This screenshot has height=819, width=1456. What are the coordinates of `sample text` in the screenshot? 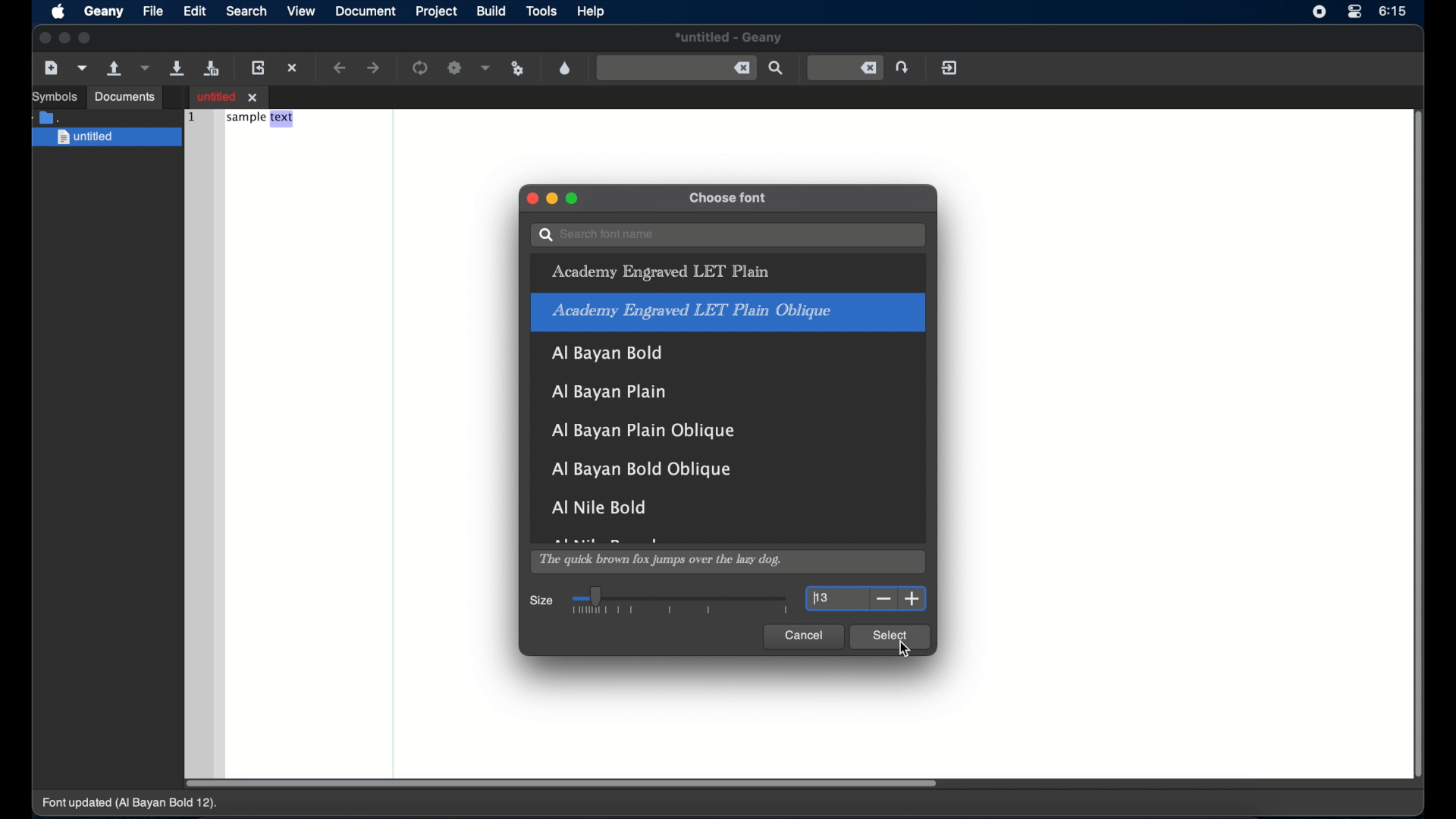 It's located at (261, 119).